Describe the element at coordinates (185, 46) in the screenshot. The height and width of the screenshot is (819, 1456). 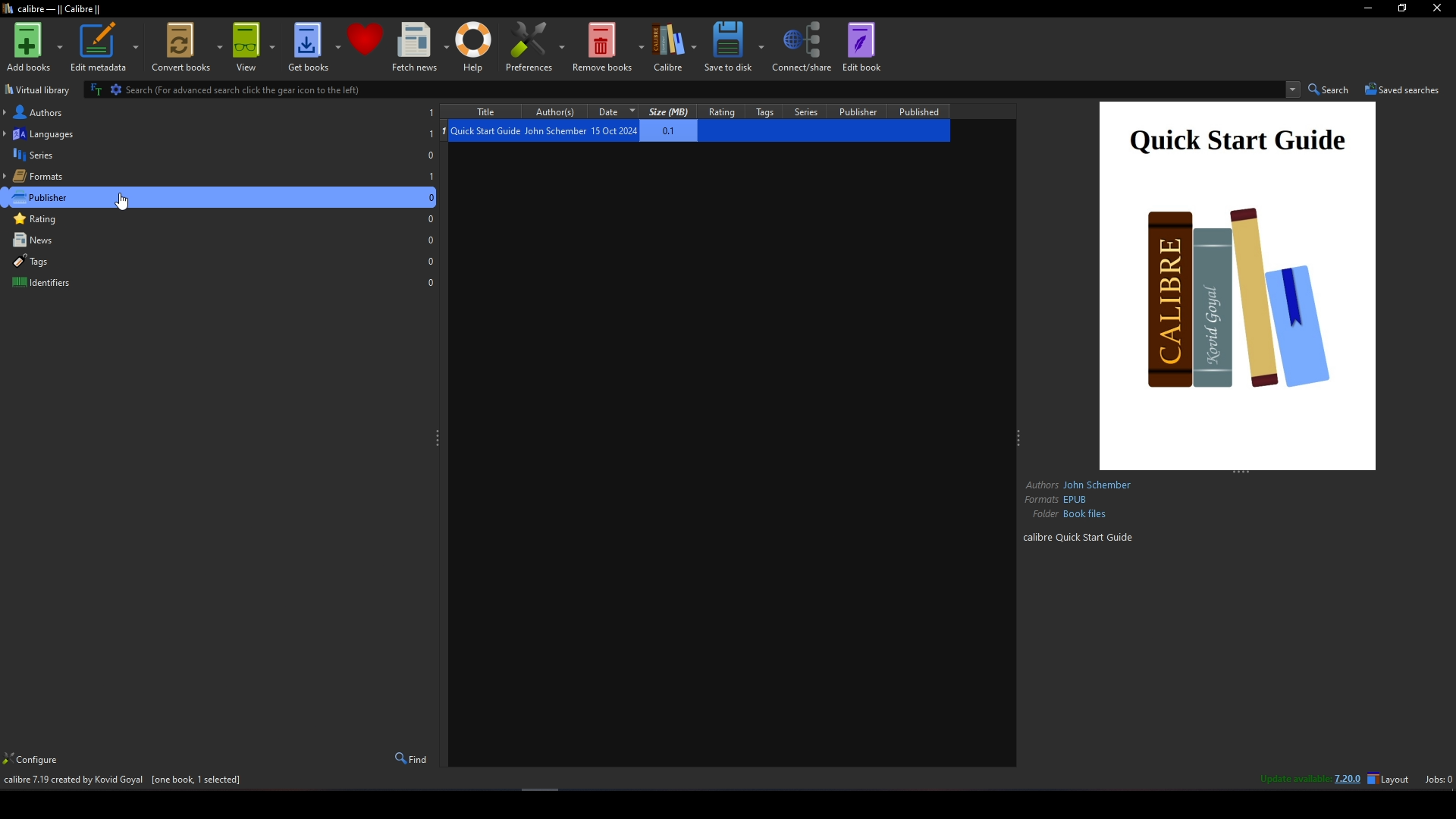
I see `Convert bookss` at that location.